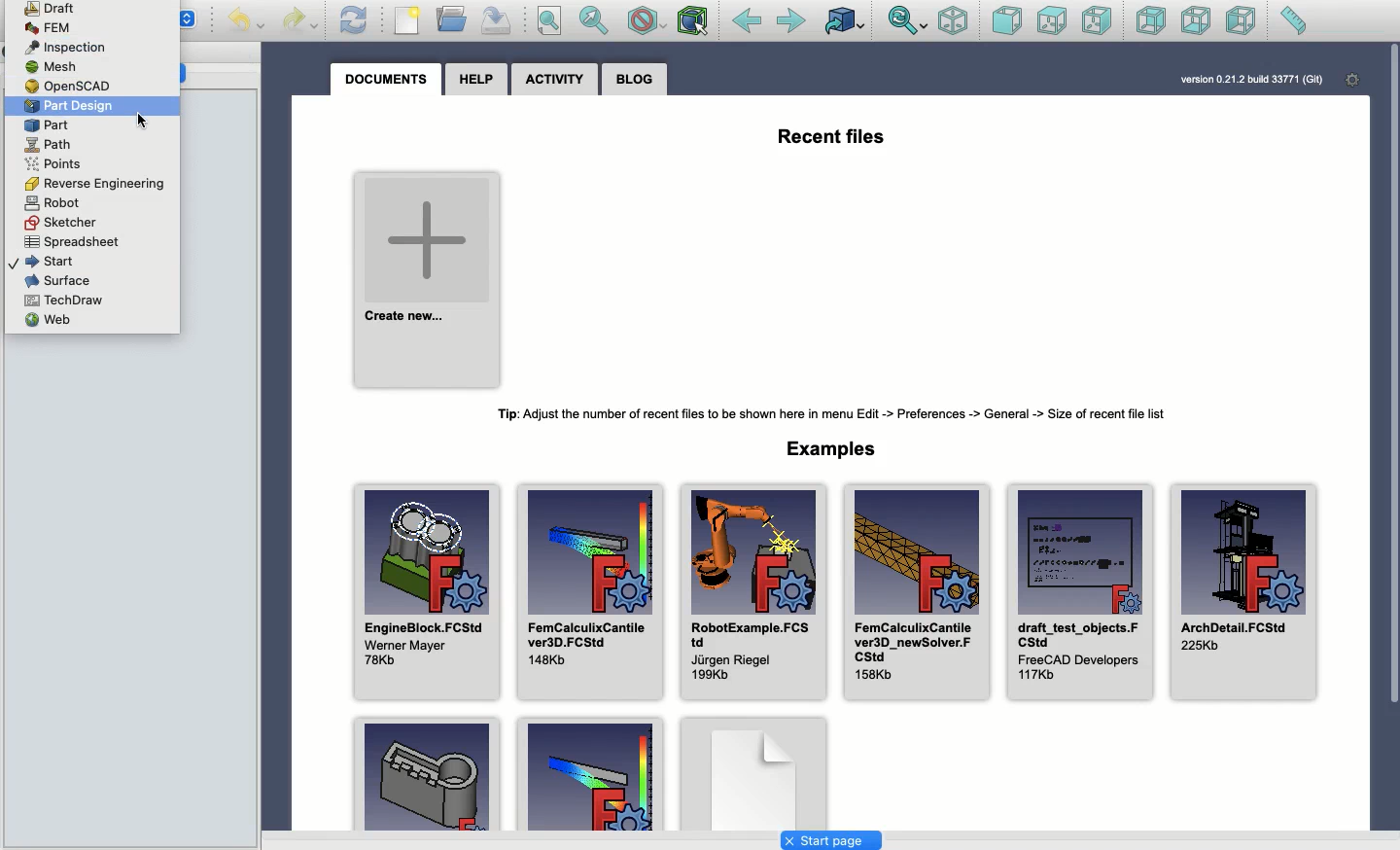 The image size is (1400, 850). I want to click on Fit selection, so click(594, 20).